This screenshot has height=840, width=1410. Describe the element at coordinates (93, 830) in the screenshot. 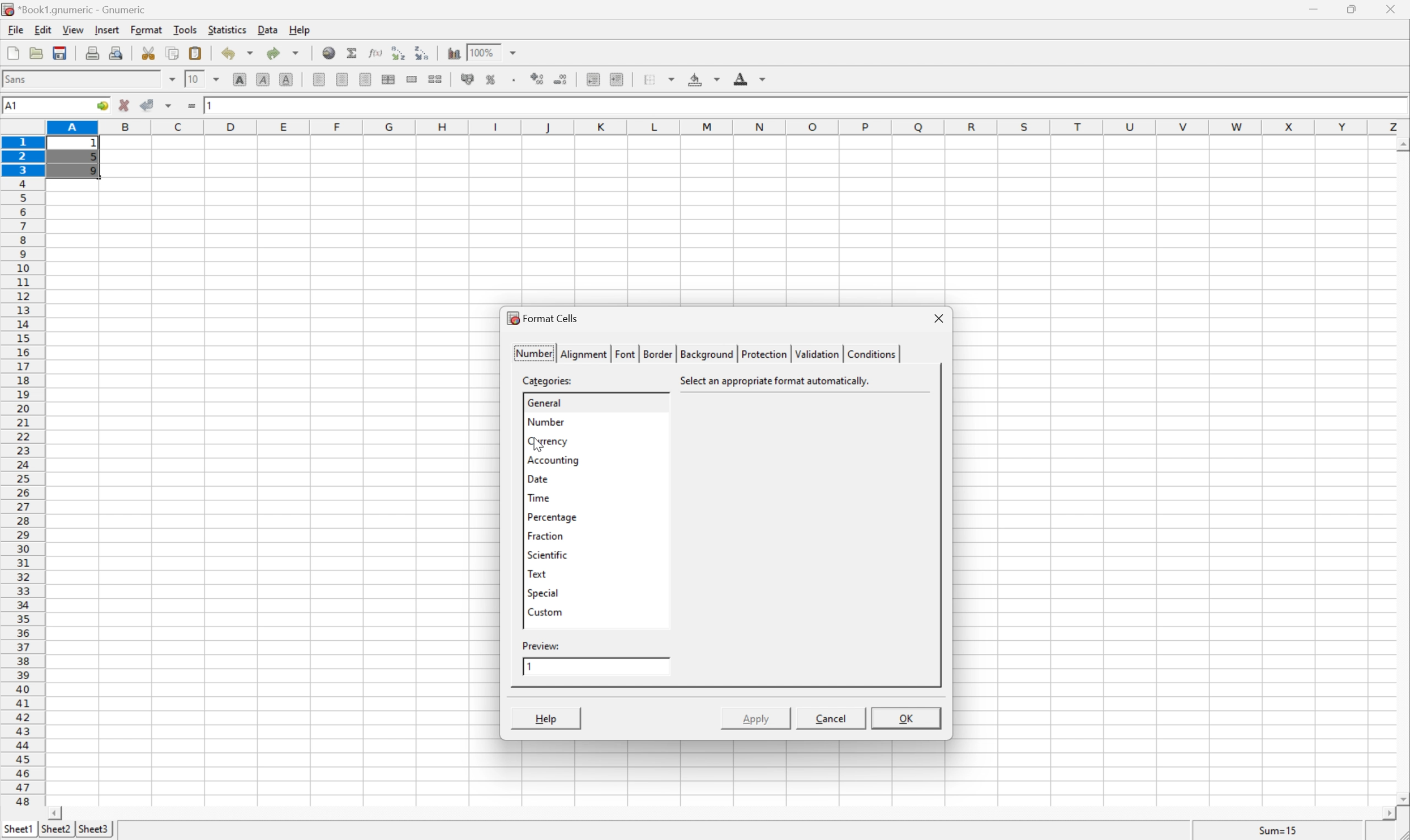

I see `sheet3` at that location.